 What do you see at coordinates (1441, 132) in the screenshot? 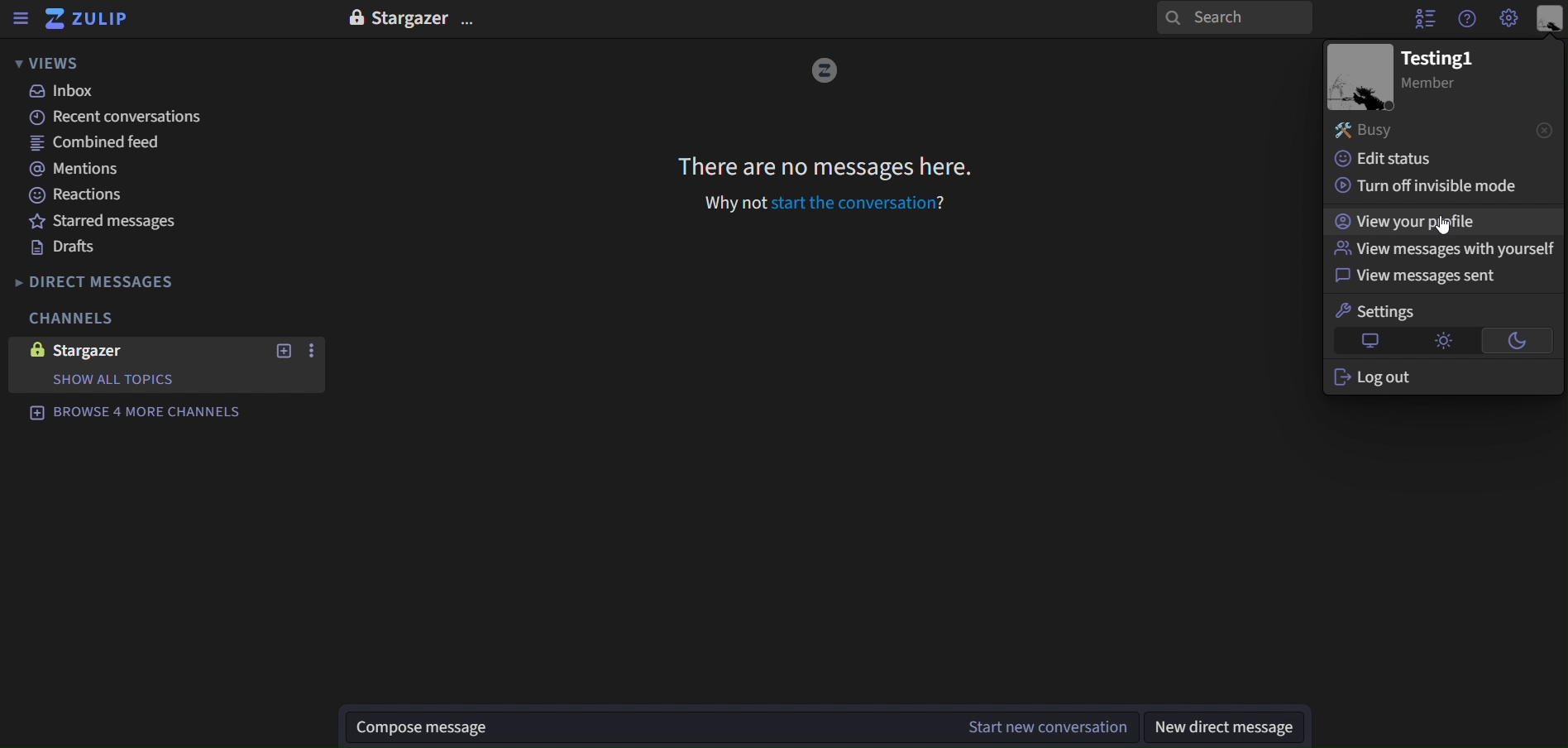
I see `busy` at bounding box center [1441, 132].